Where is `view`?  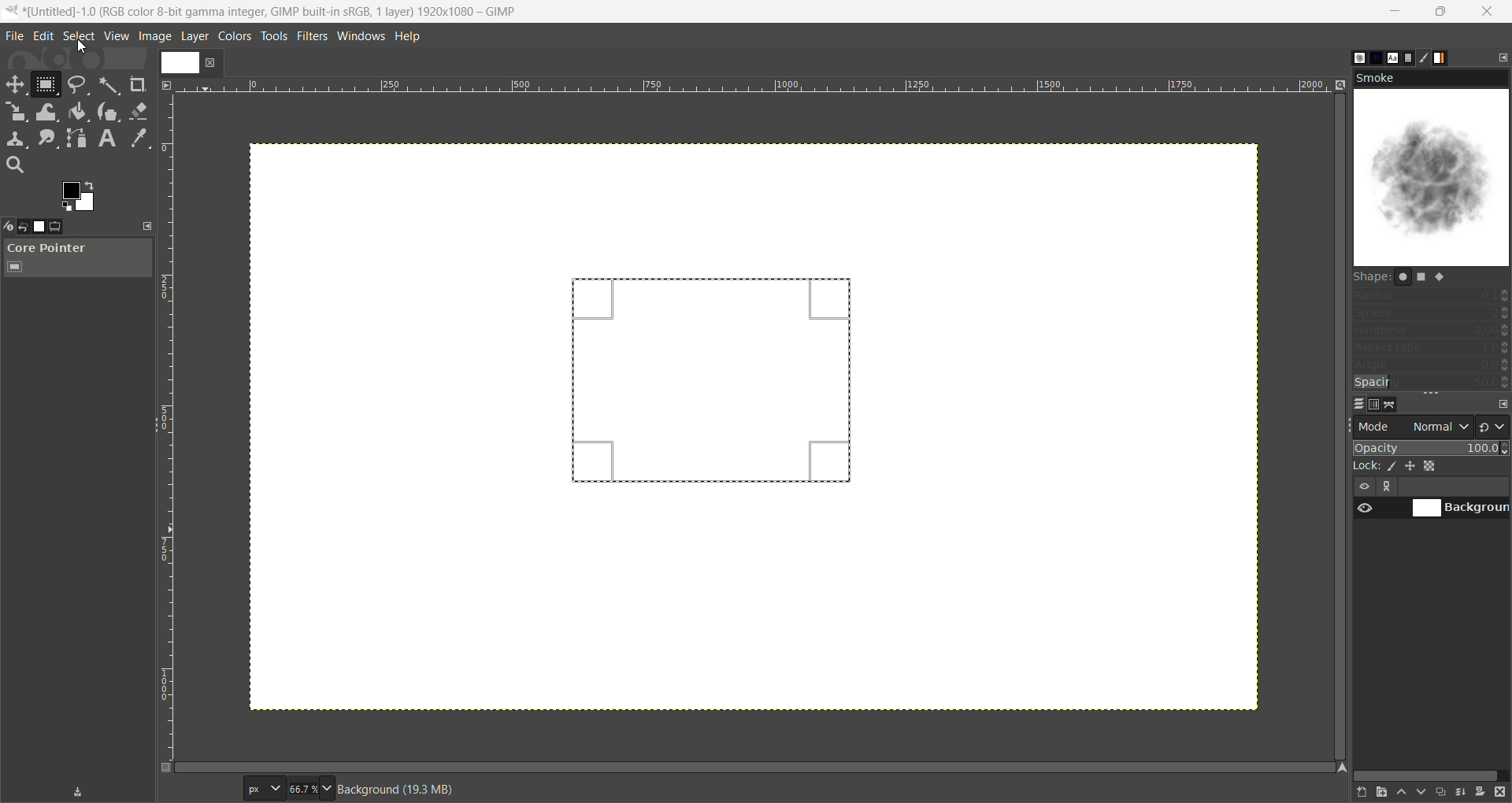 view is located at coordinates (117, 37).